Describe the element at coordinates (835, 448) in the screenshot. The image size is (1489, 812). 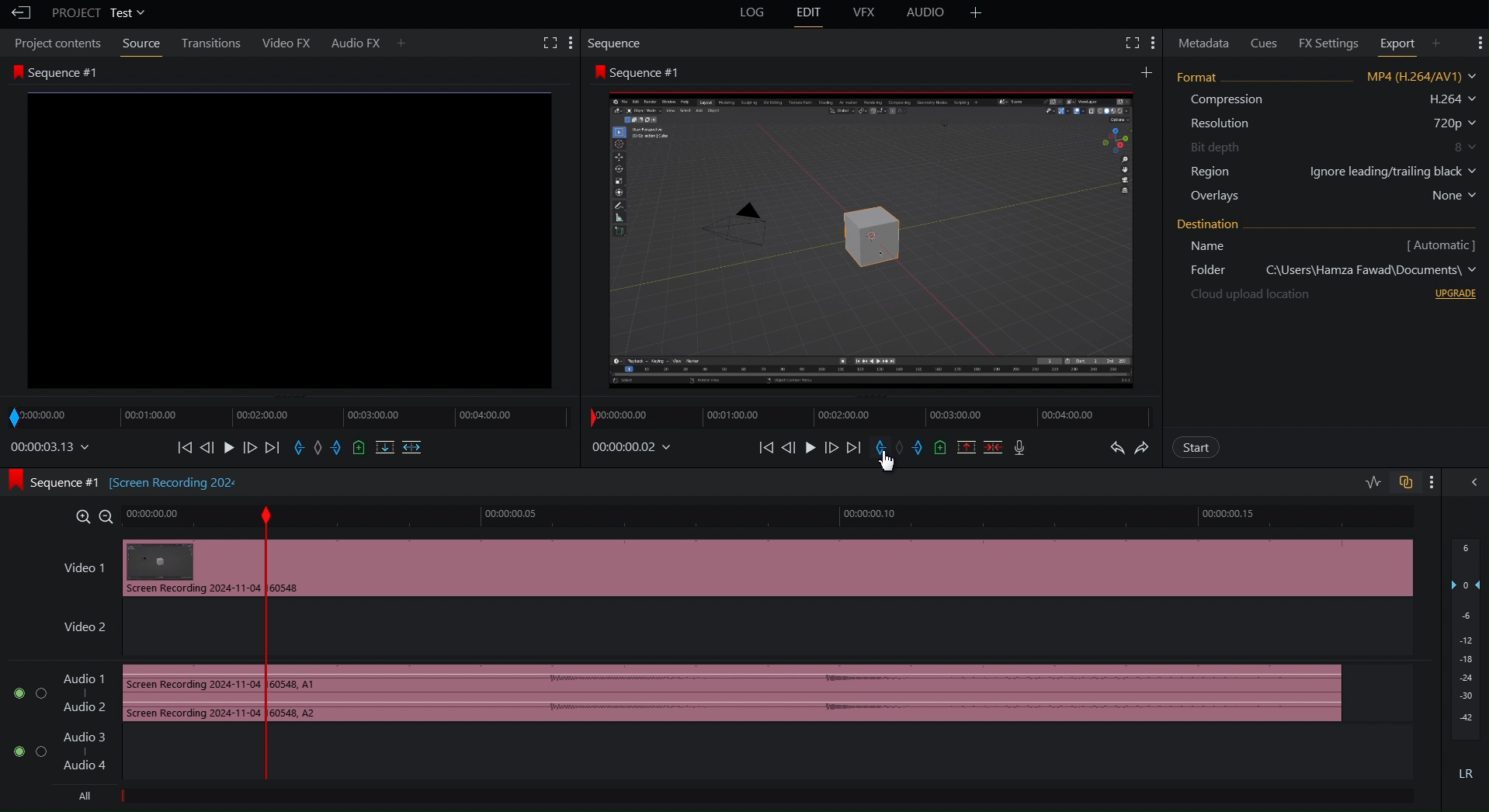
I see `Move Forward` at that location.